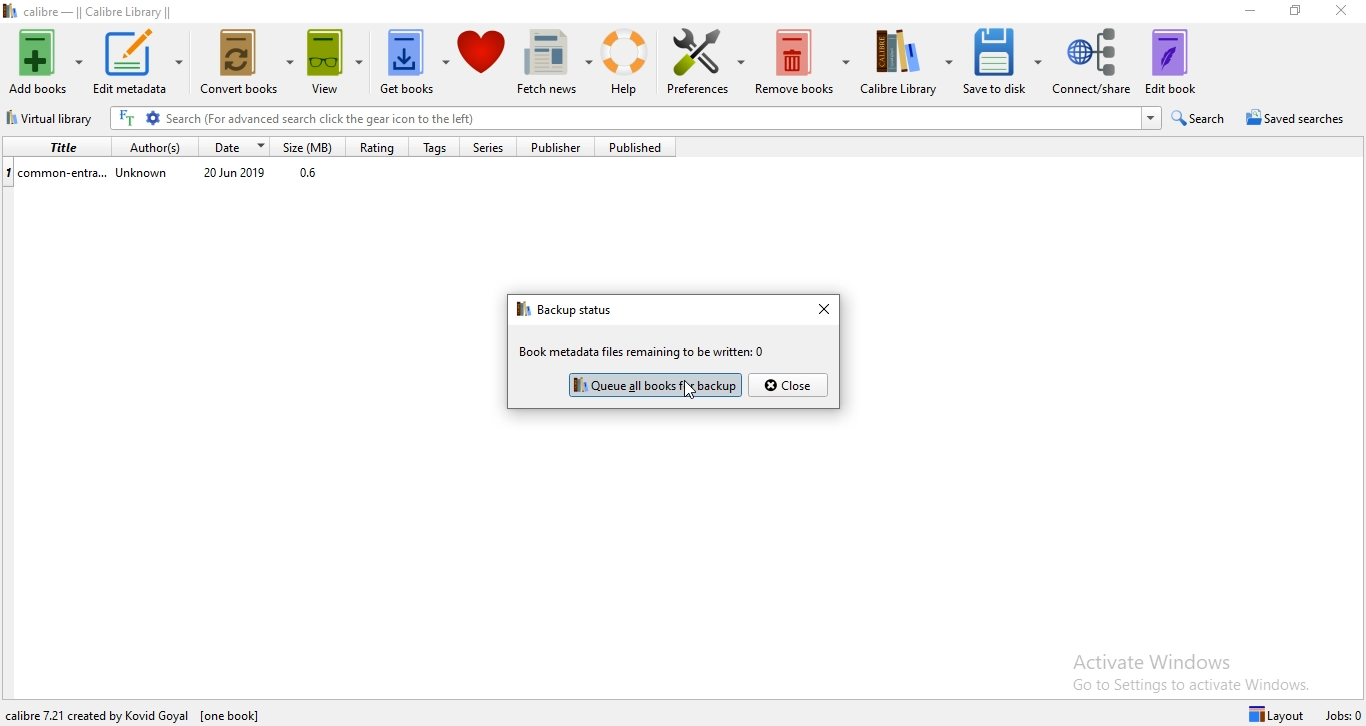 This screenshot has width=1366, height=726. I want to click on Virtual Library, so click(53, 120).